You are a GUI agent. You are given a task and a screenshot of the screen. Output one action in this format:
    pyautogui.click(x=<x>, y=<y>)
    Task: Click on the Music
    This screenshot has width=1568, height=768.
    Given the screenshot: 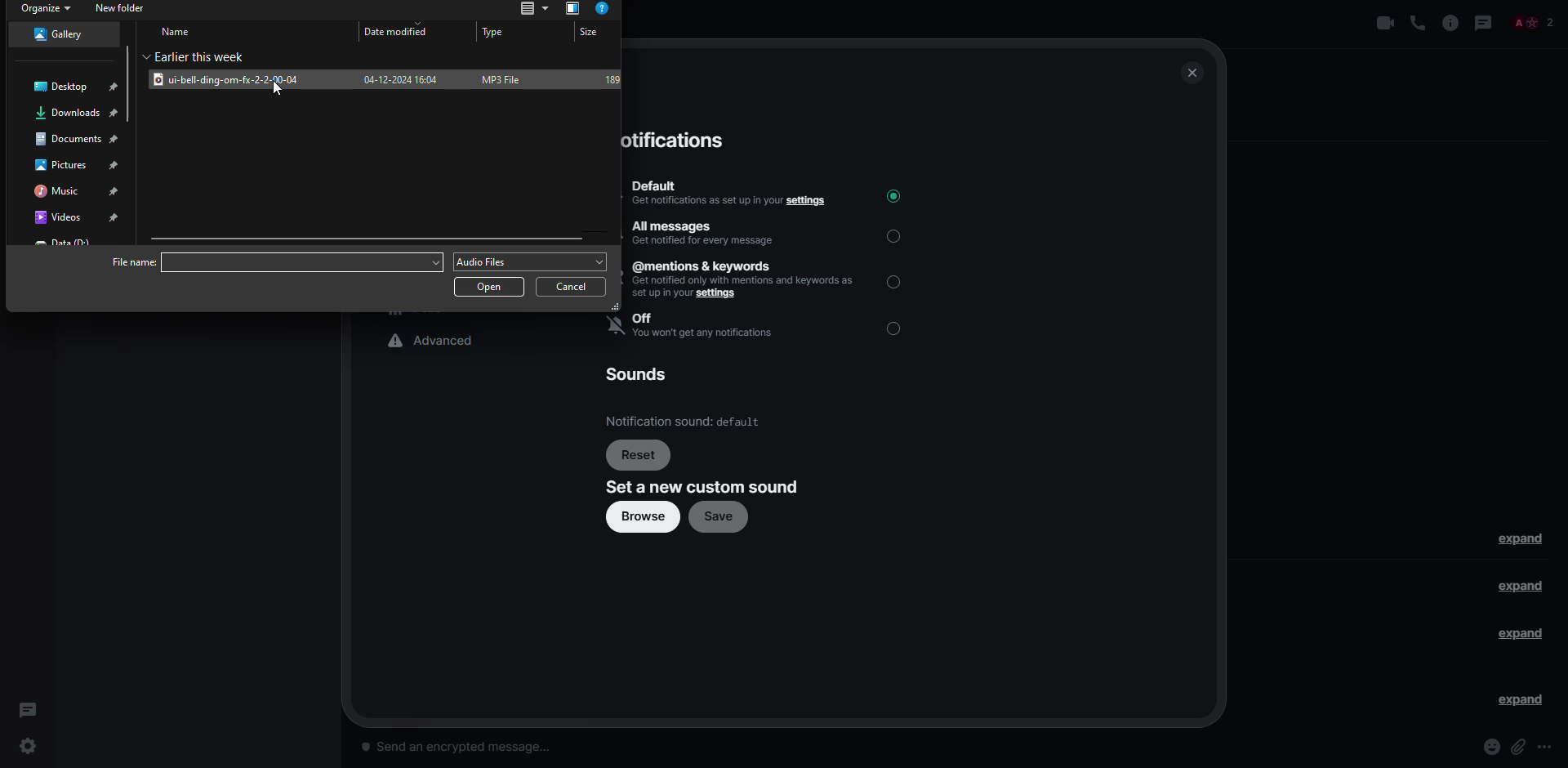 What is the action you would take?
    pyautogui.click(x=82, y=188)
    